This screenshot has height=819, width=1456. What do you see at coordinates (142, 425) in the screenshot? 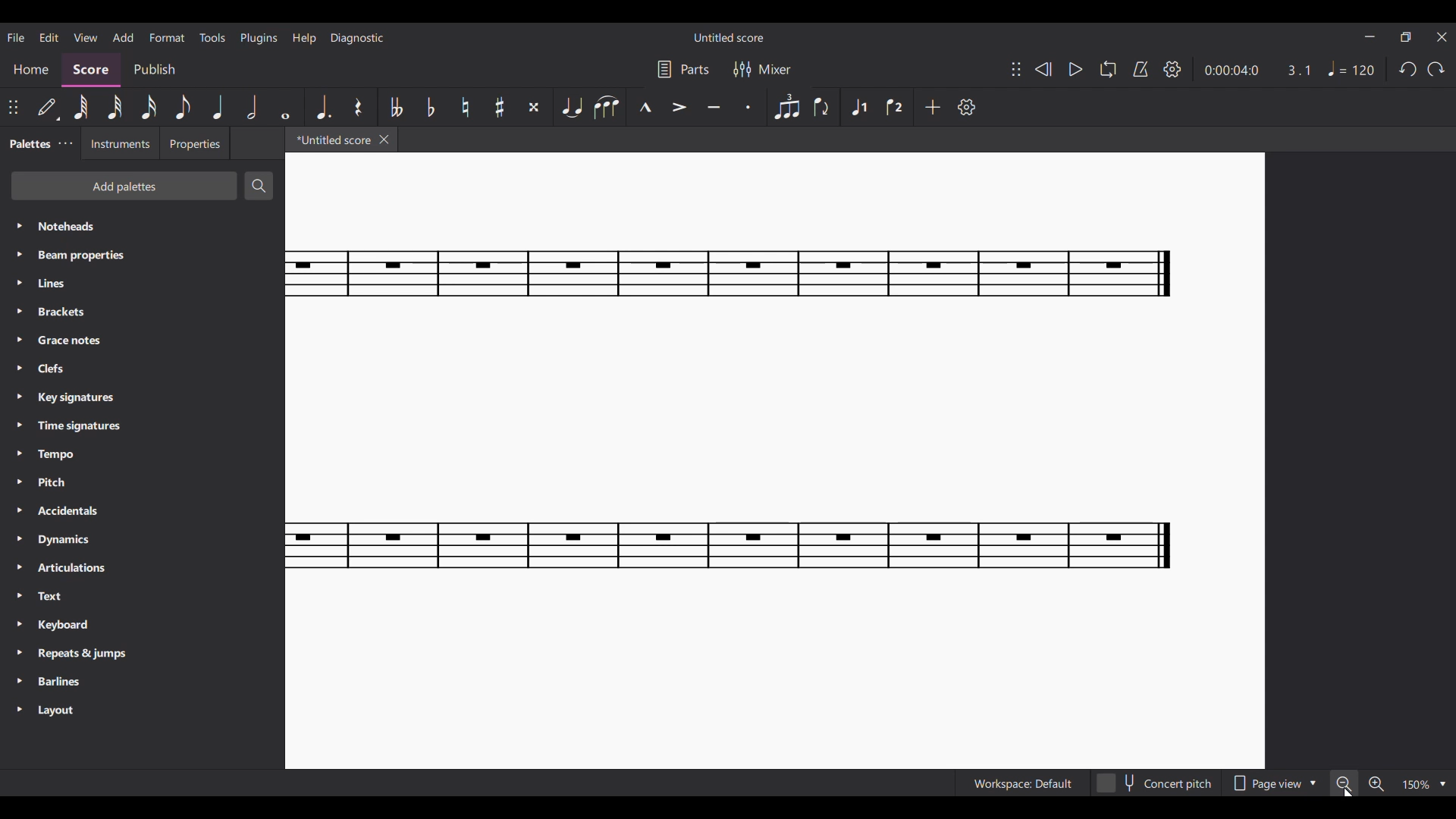
I see `Time signatures` at bounding box center [142, 425].